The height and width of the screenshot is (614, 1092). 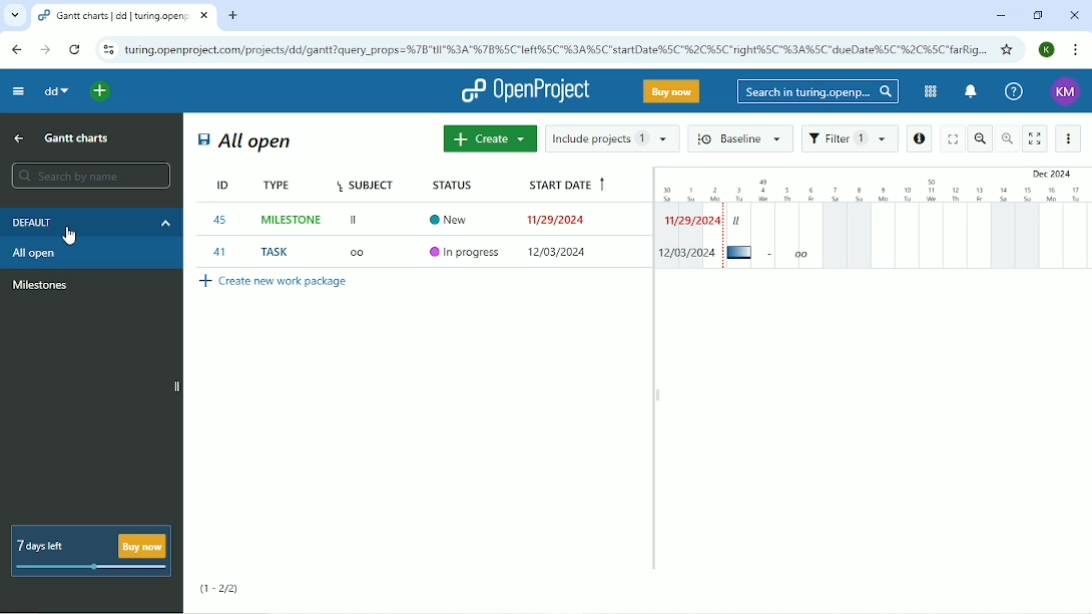 What do you see at coordinates (1007, 50) in the screenshot?
I see `Bookmark this tab` at bounding box center [1007, 50].